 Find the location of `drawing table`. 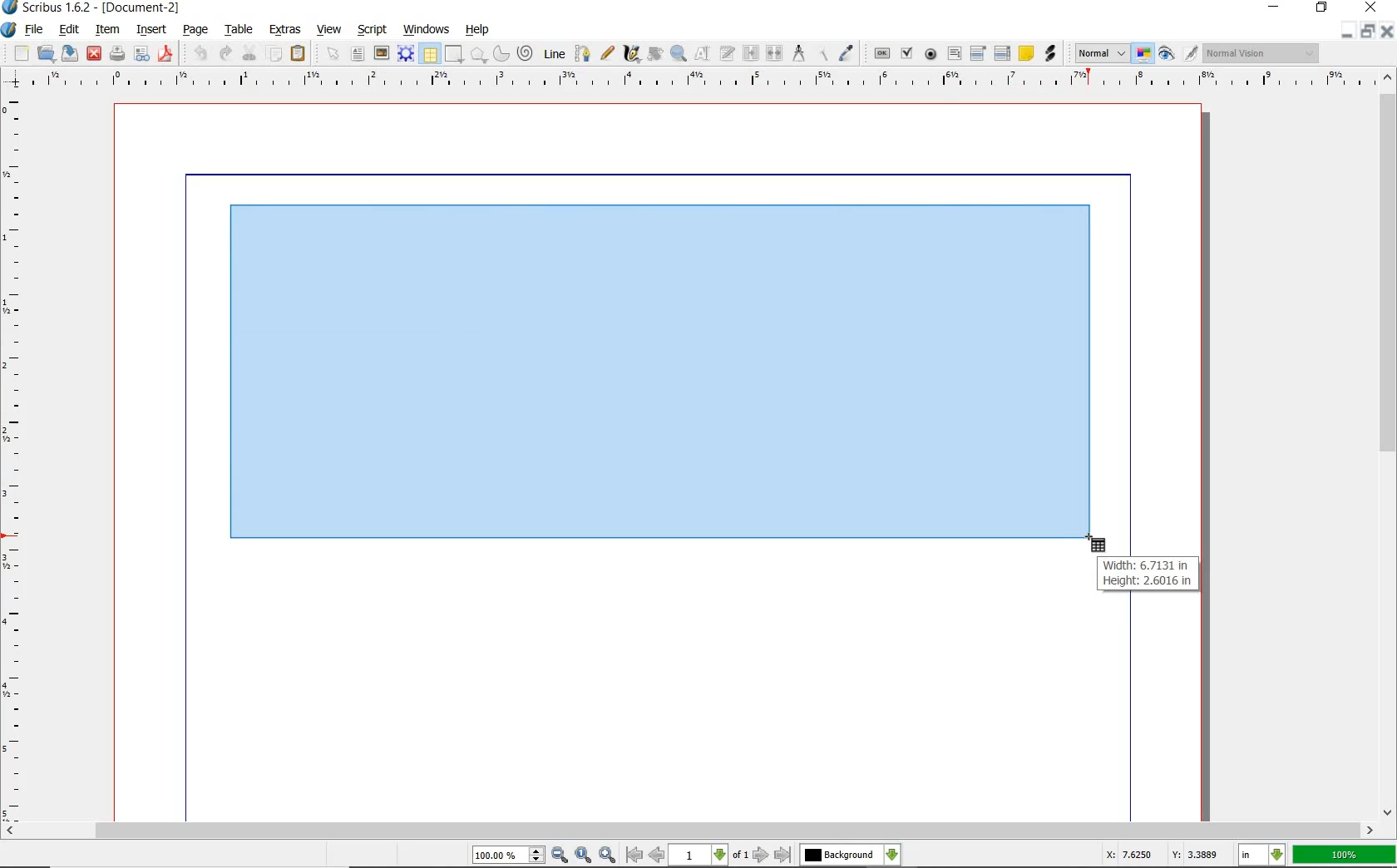

drawing table is located at coordinates (660, 372).